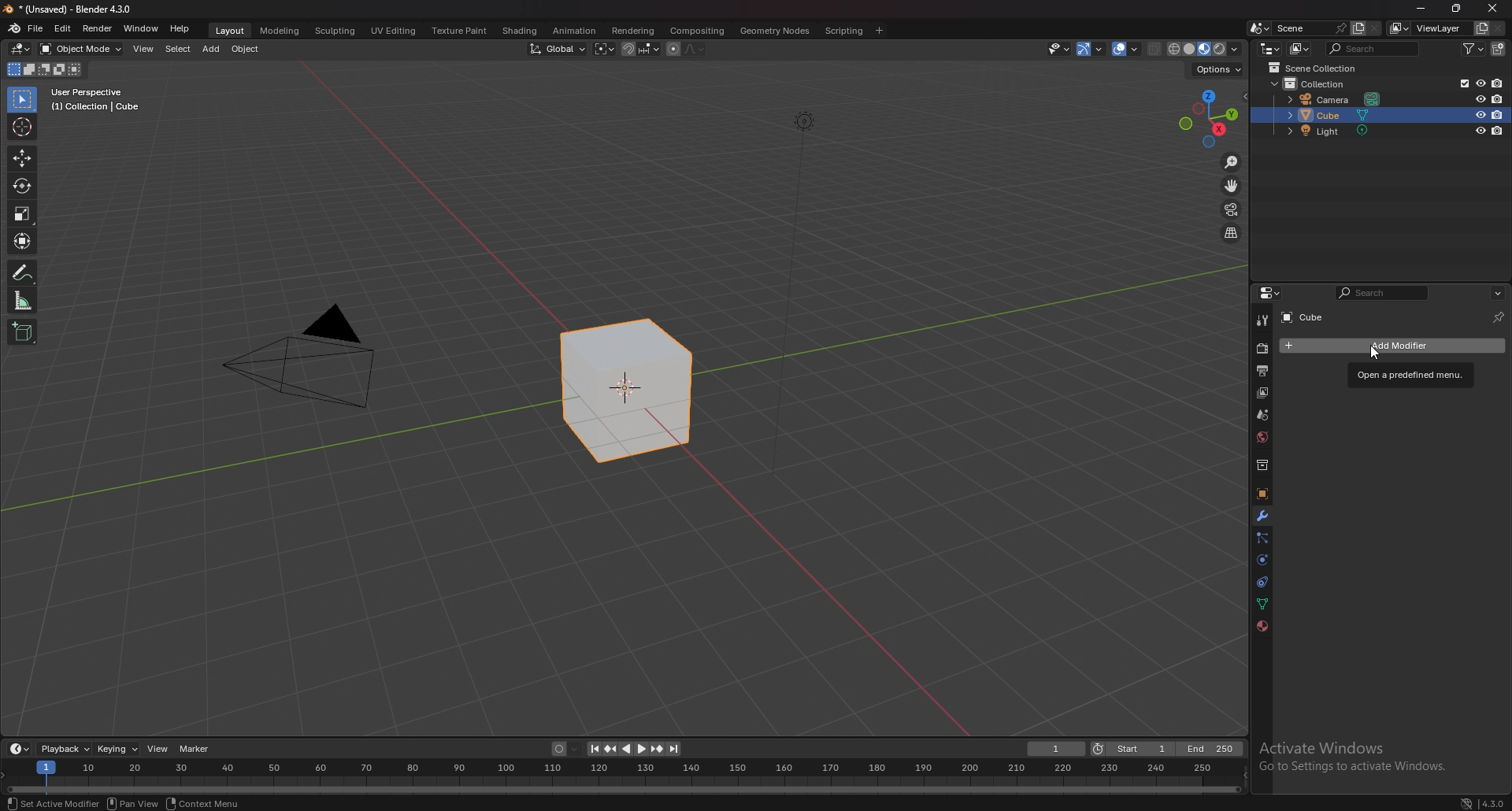 This screenshot has width=1512, height=811. I want to click on constraints, so click(1261, 581).